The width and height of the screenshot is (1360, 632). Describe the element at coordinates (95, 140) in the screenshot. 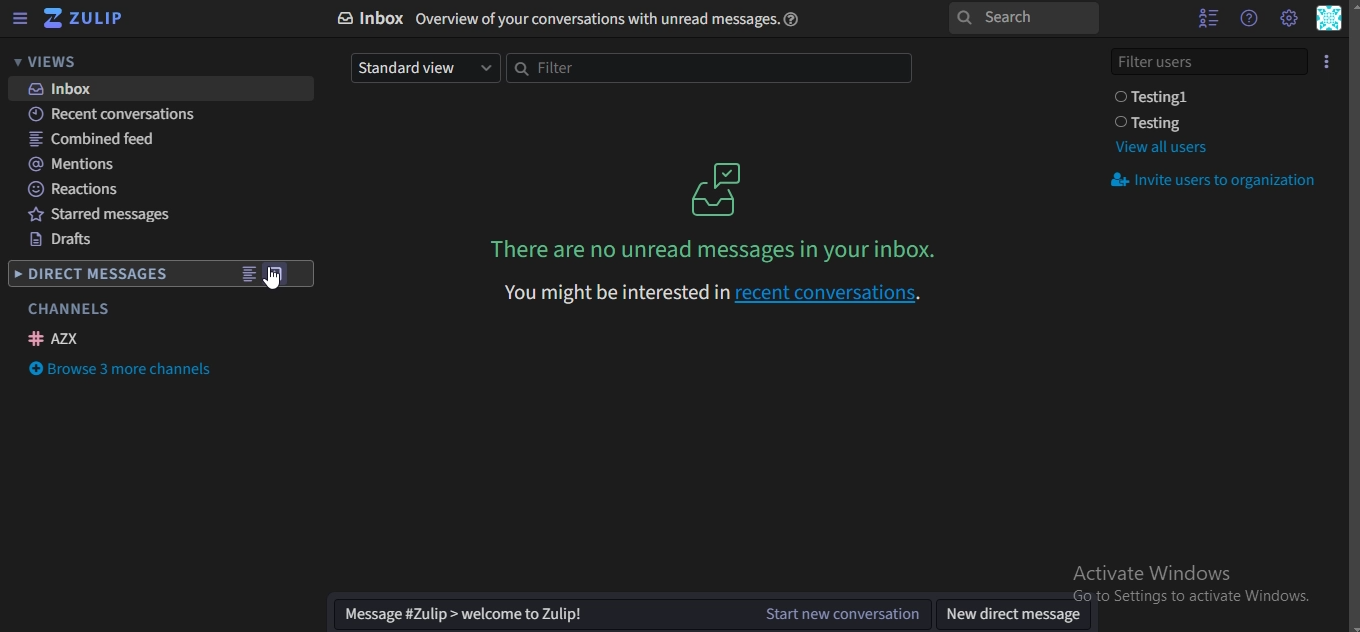

I see `combined feed` at that location.